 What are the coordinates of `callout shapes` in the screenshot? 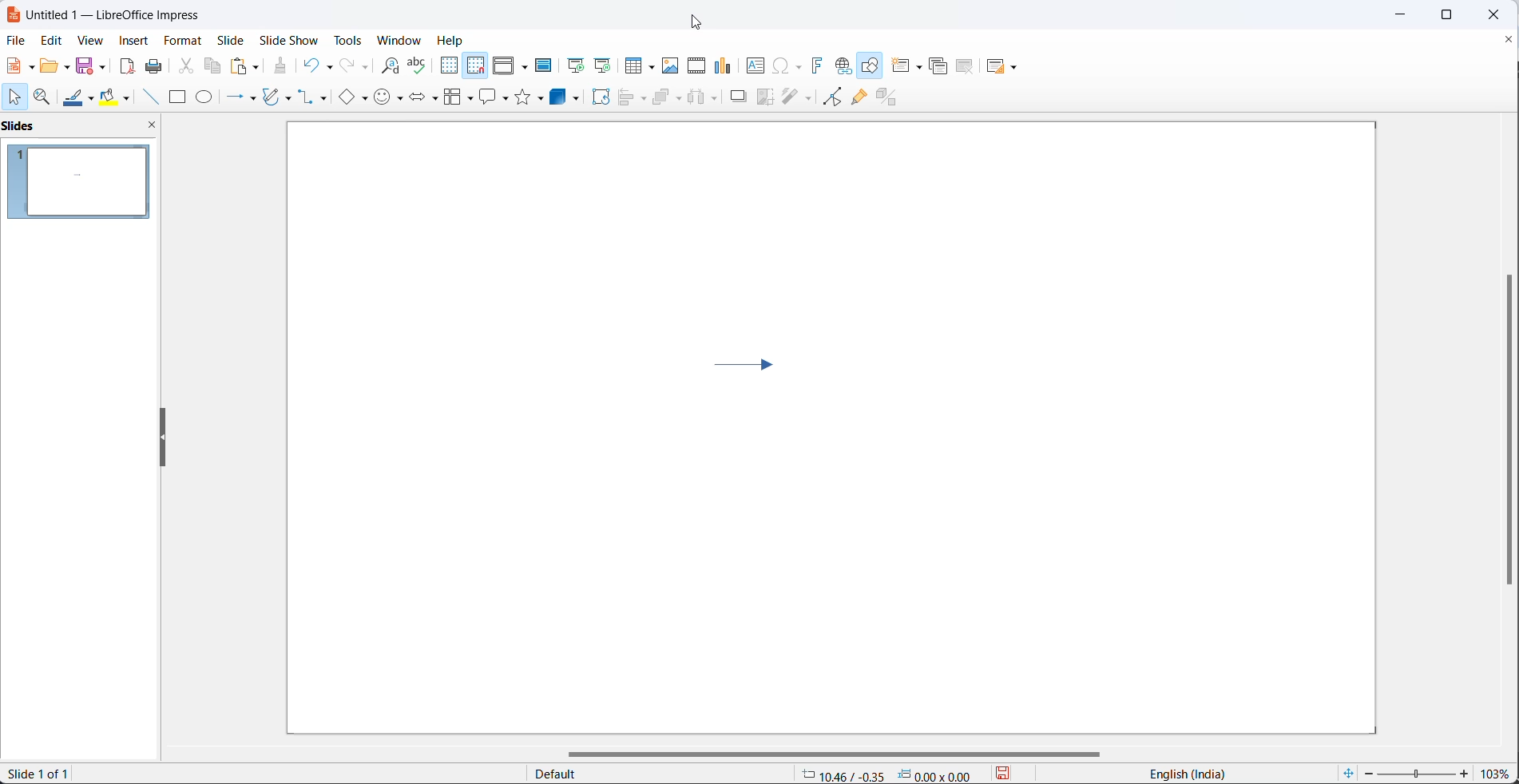 It's located at (492, 97).